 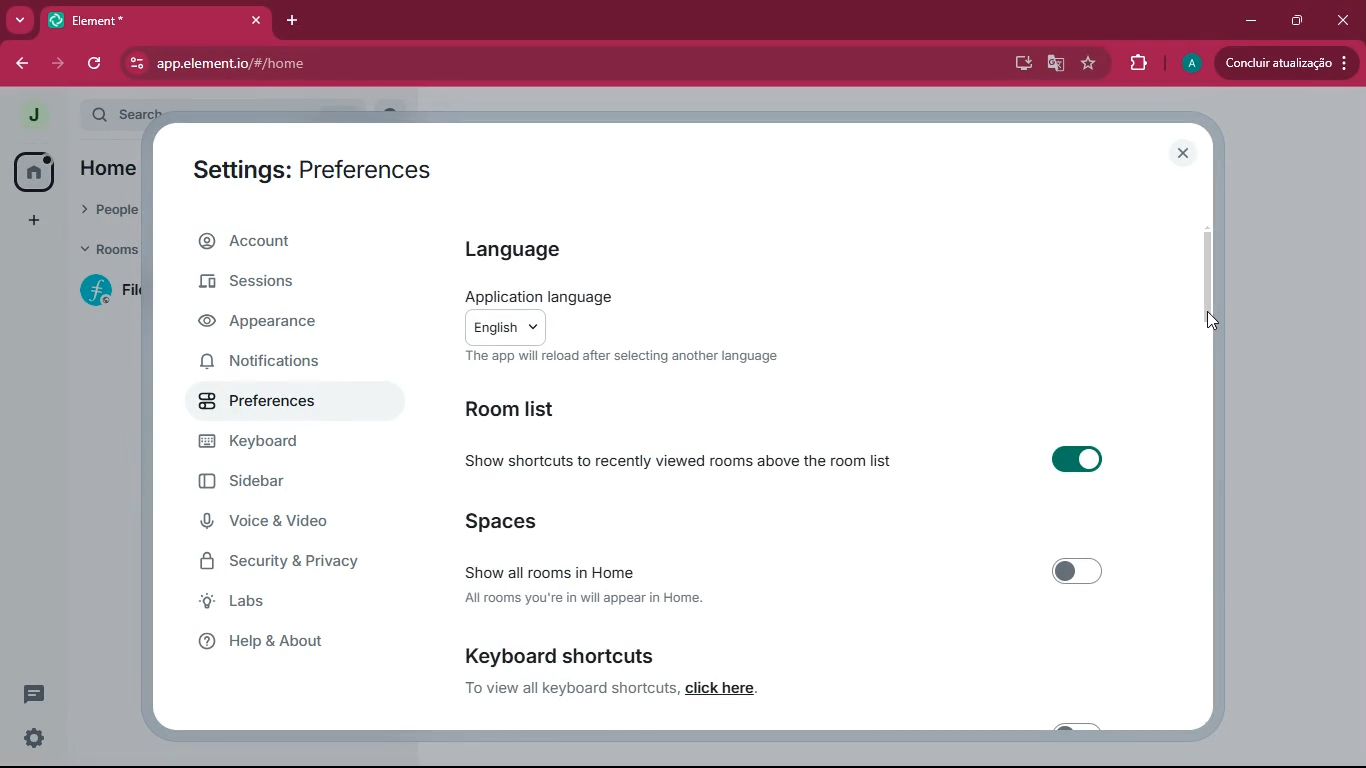 What do you see at coordinates (1342, 17) in the screenshot?
I see `close` at bounding box center [1342, 17].